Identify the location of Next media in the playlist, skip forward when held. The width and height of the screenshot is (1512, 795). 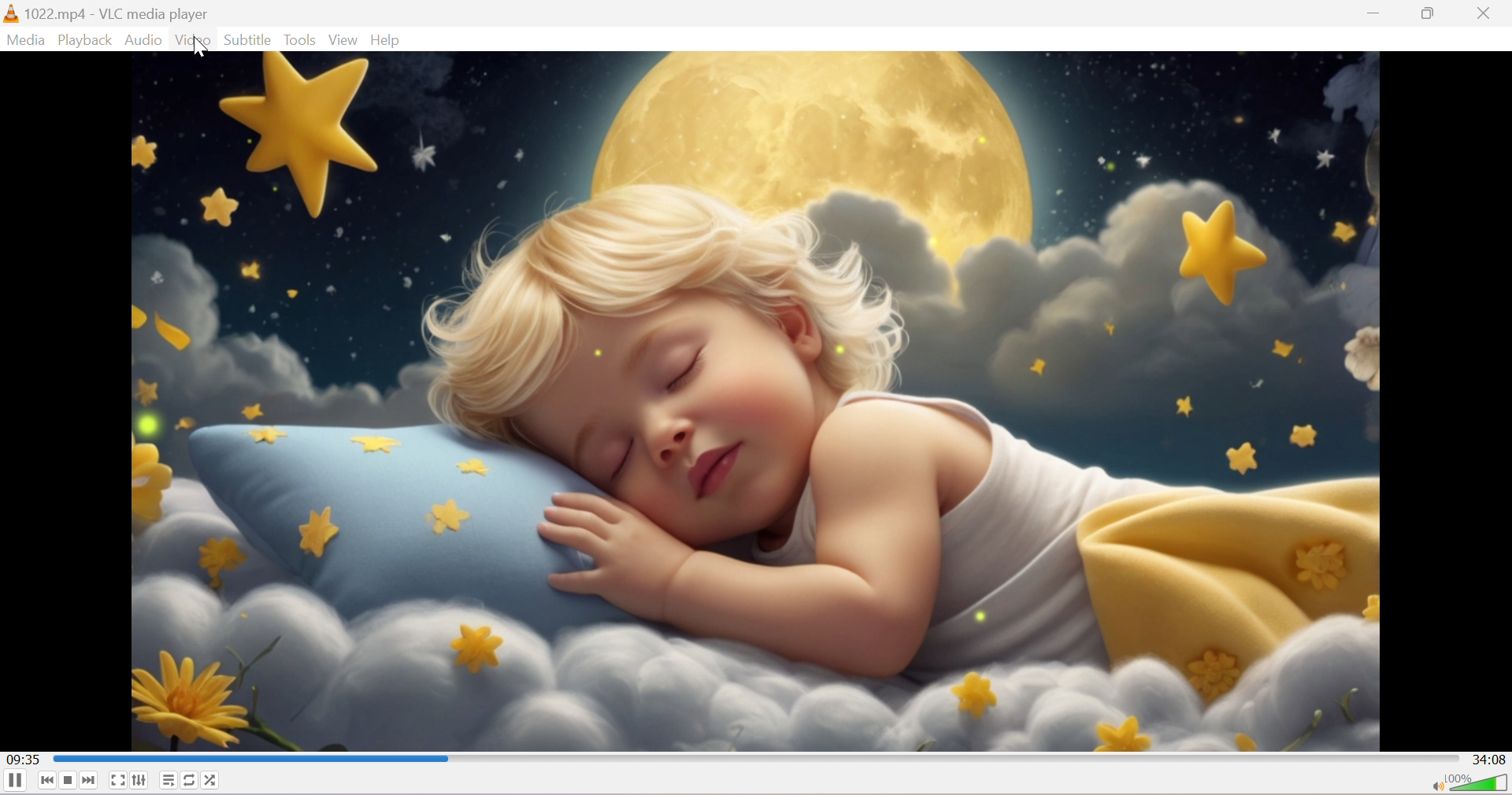
(90, 781).